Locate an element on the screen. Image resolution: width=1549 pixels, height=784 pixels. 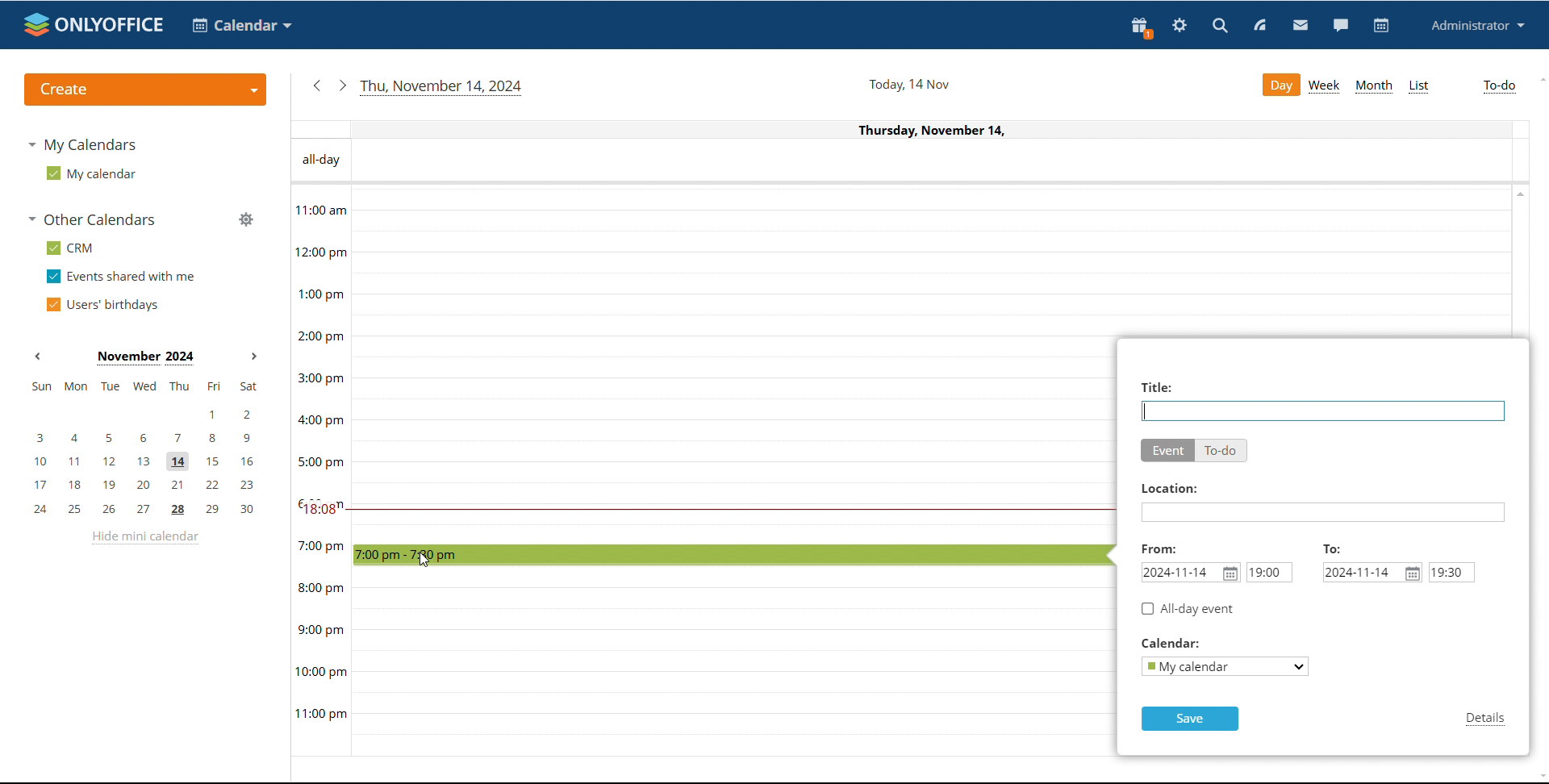
time block selected is located at coordinates (731, 554).